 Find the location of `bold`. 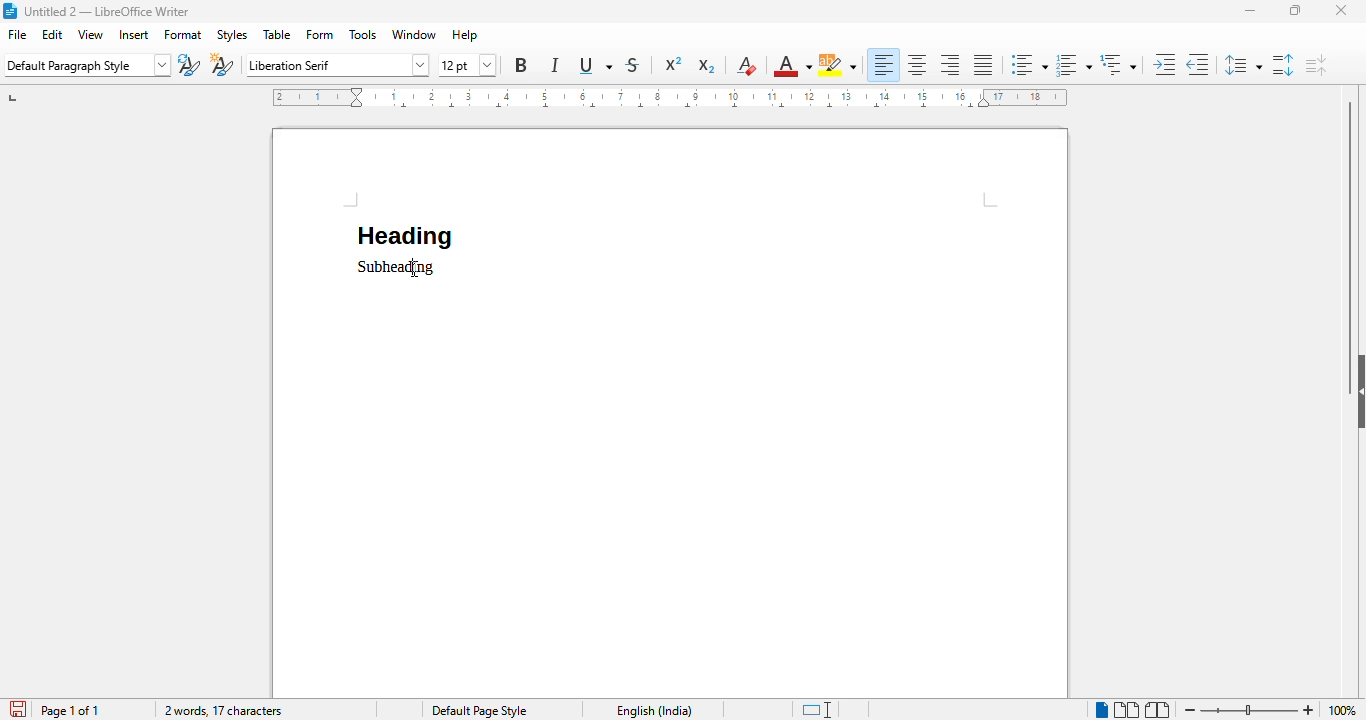

bold is located at coordinates (521, 65).